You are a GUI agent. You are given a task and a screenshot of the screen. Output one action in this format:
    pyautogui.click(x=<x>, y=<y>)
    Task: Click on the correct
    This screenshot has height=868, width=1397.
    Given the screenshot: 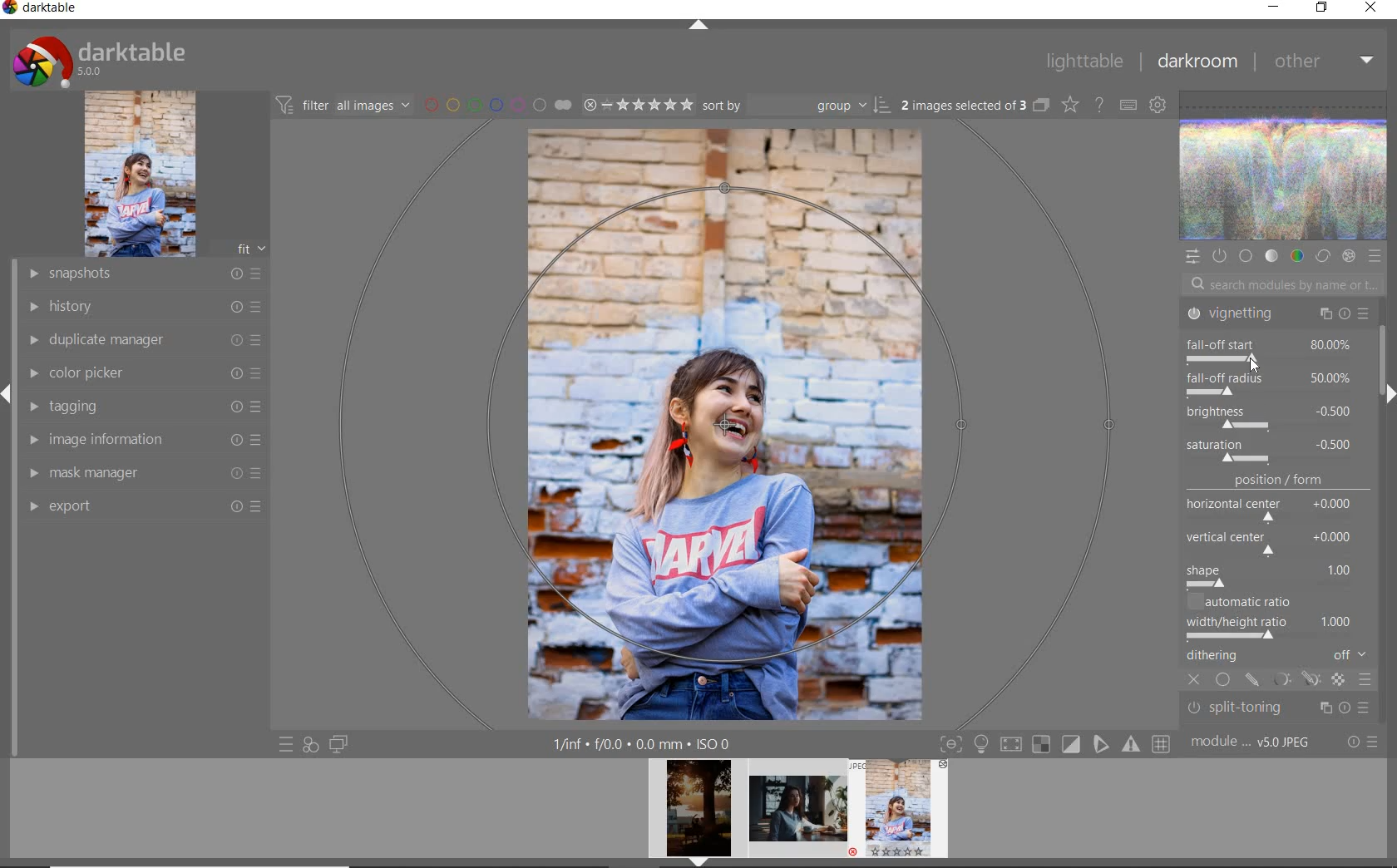 What is the action you would take?
    pyautogui.click(x=1323, y=257)
    